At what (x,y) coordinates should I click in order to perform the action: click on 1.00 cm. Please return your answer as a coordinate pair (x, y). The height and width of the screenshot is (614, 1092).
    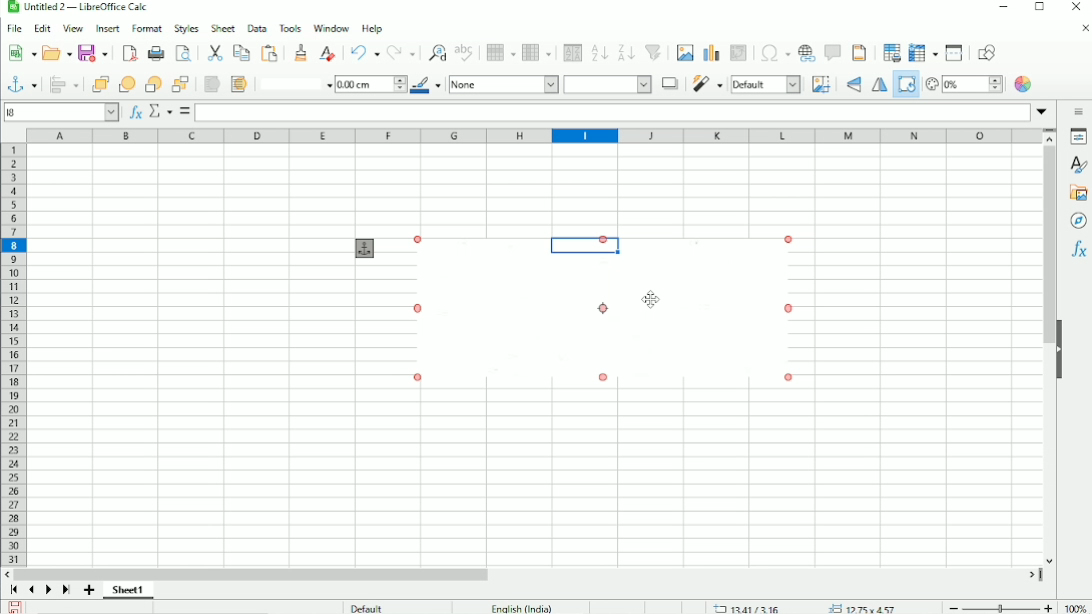
    Looking at the image, I should click on (370, 85).